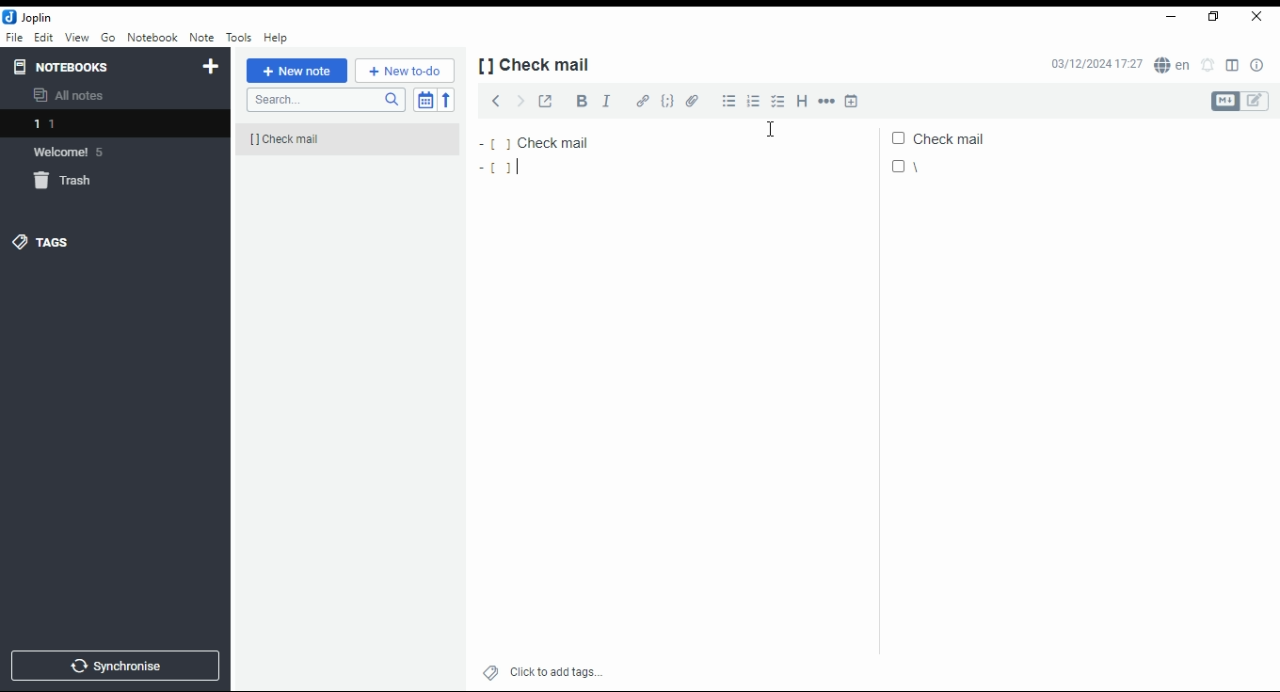 The image size is (1280, 692). What do you see at coordinates (911, 167) in the screenshot?
I see `|` at bounding box center [911, 167].